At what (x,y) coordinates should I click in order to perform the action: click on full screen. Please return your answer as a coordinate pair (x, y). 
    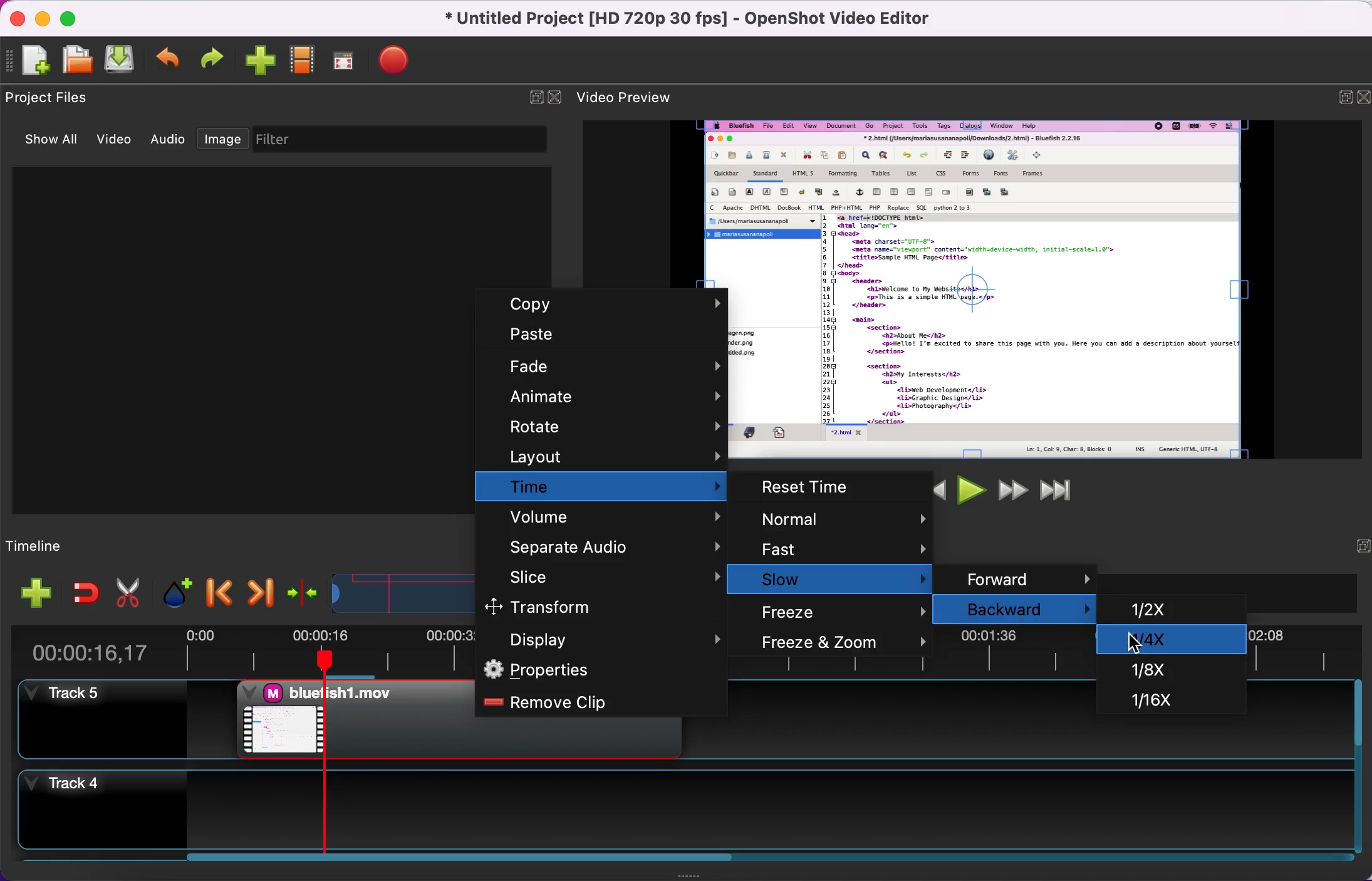
    Looking at the image, I should click on (350, 61).